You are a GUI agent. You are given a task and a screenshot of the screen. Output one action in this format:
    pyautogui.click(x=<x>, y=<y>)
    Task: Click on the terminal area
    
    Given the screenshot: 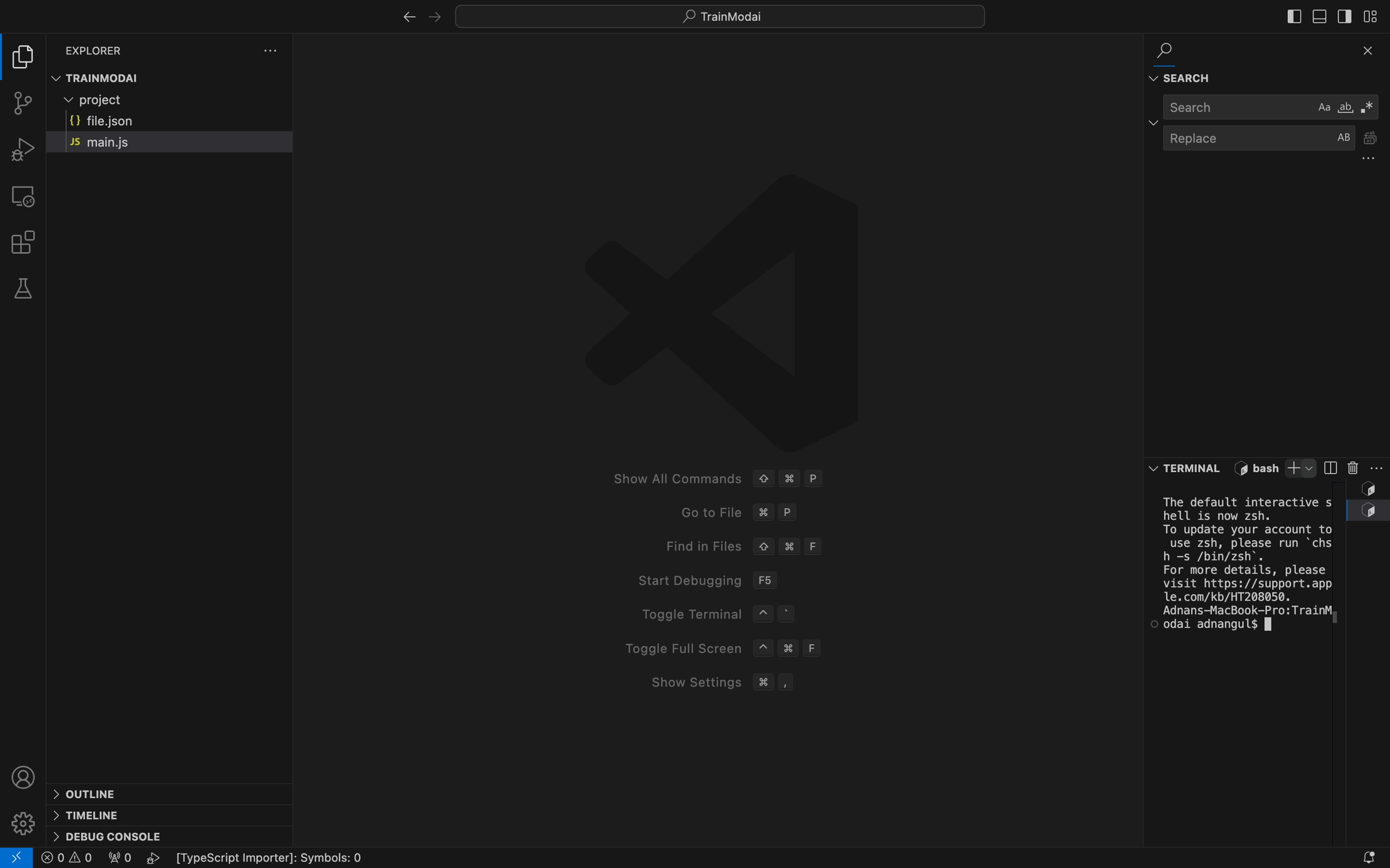 What is the action you would take?
    pyautogui.click(x=1246, y=565)
    